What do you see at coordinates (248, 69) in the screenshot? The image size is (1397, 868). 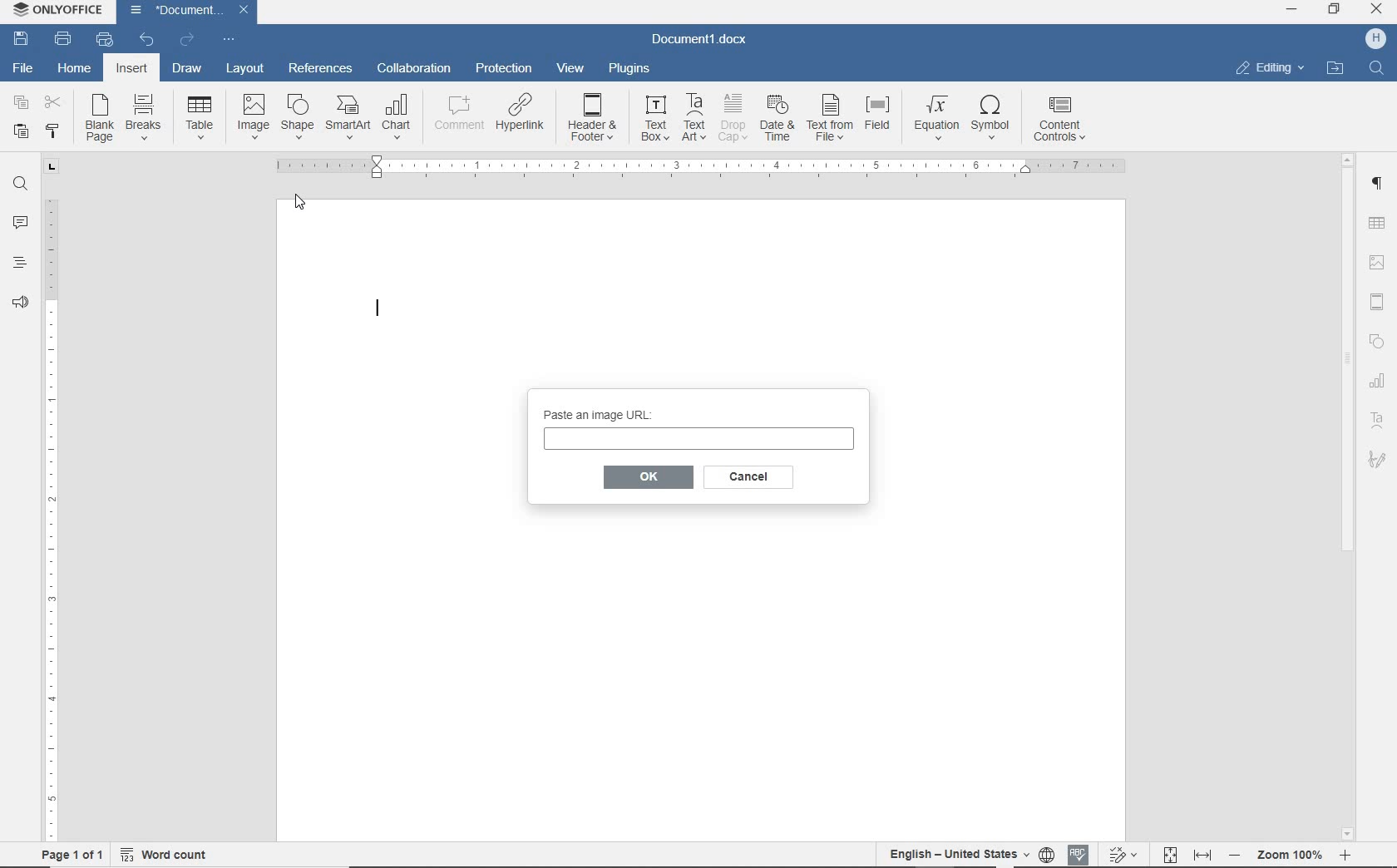 I see `layout` at bounding box center [248, 69].